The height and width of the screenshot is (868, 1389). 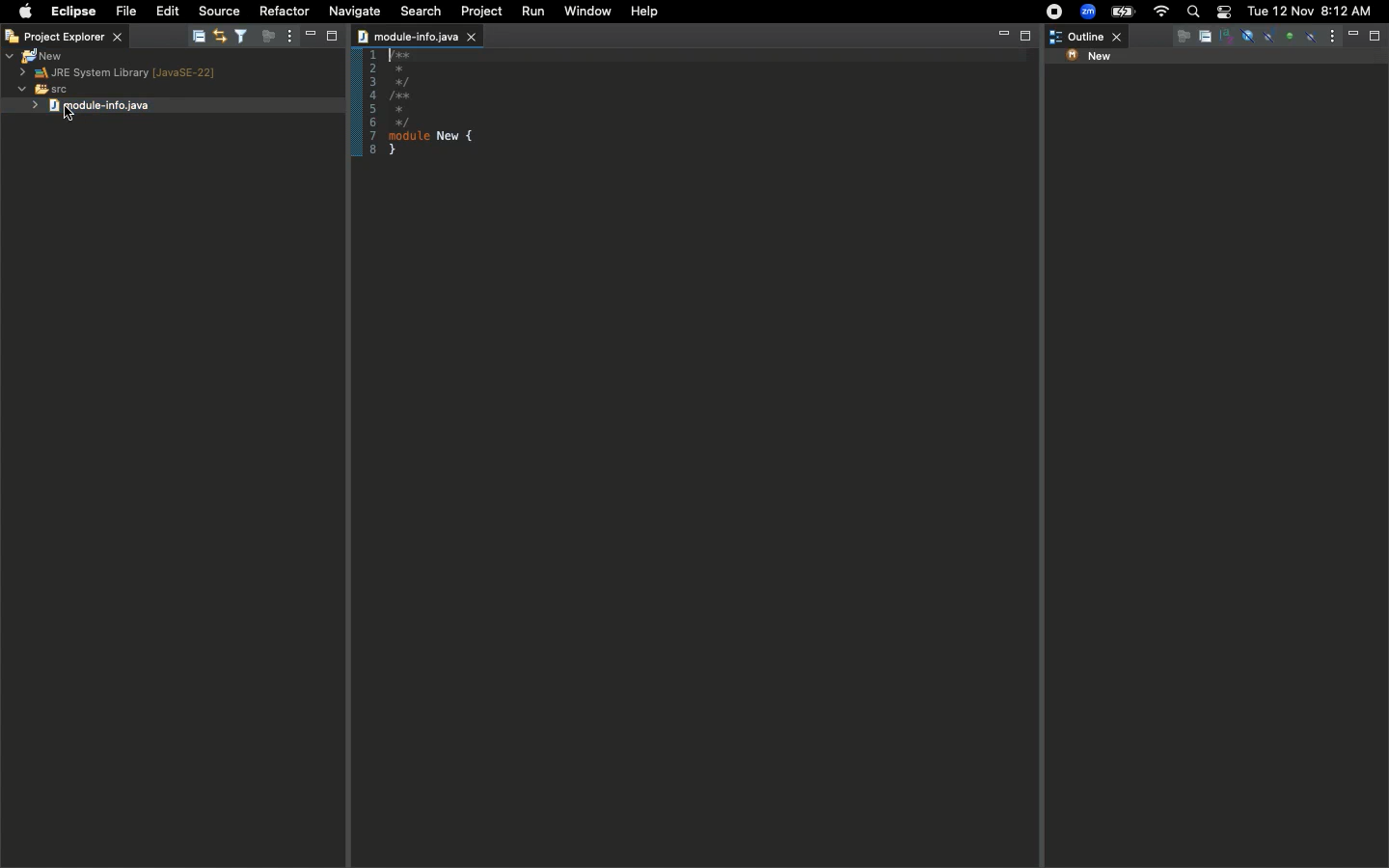 I want to click on Editor, so click(x=219, y=35).